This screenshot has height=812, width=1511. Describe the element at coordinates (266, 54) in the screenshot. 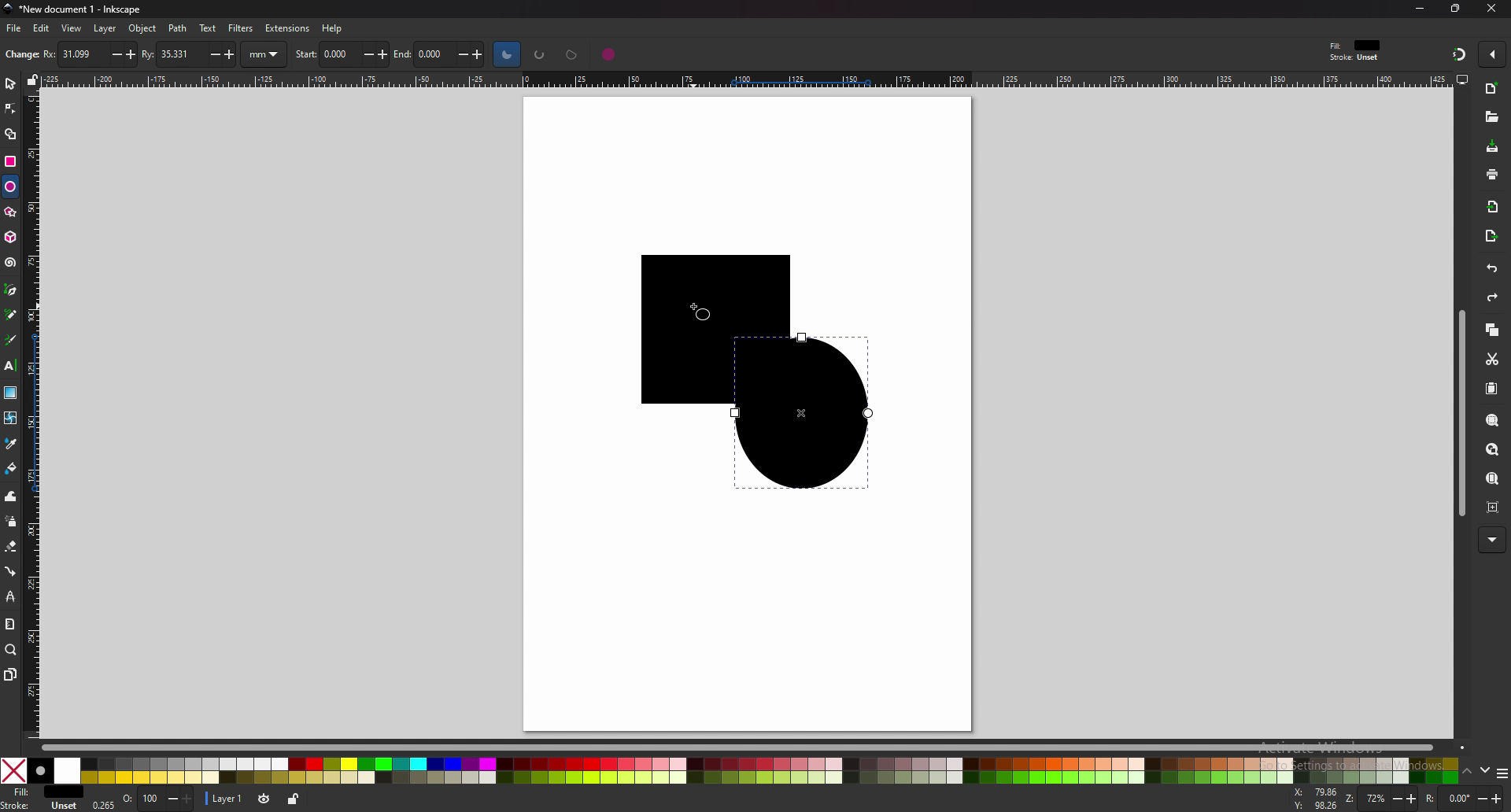

I see `mm` at that location.